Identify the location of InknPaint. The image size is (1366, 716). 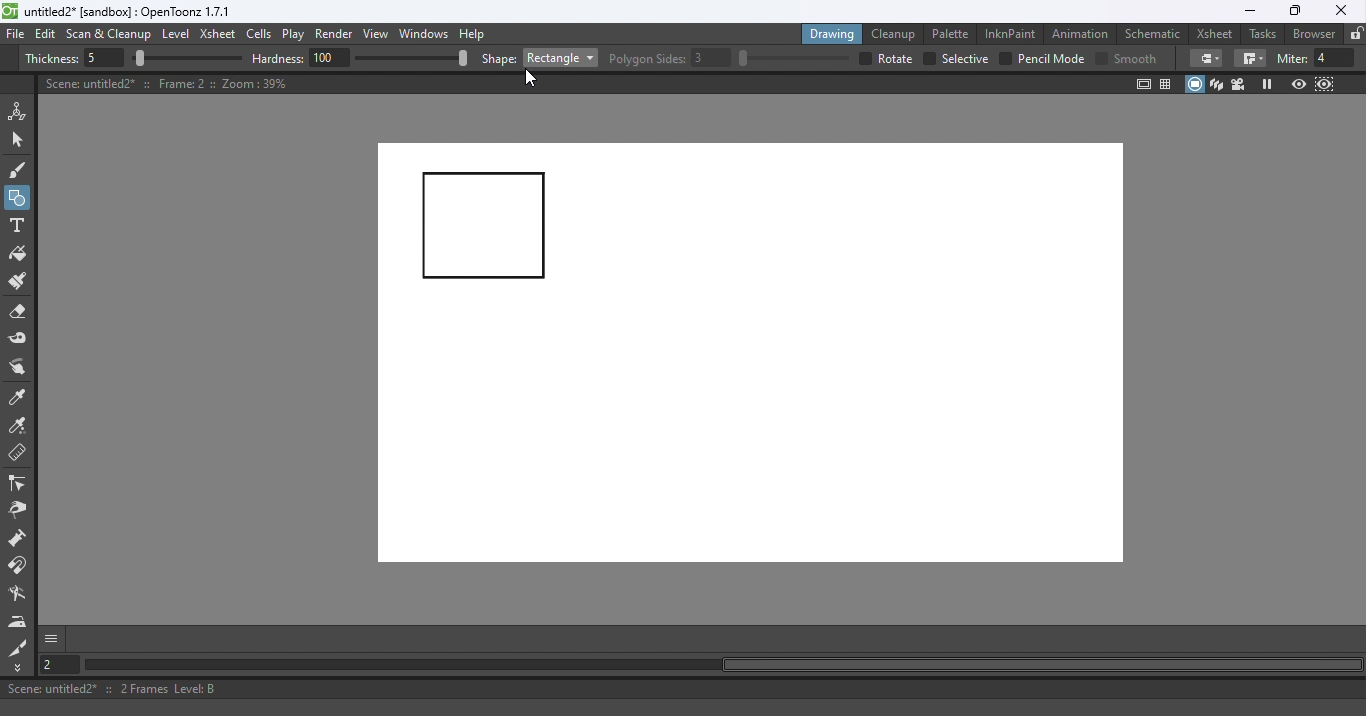
(1011, 32).